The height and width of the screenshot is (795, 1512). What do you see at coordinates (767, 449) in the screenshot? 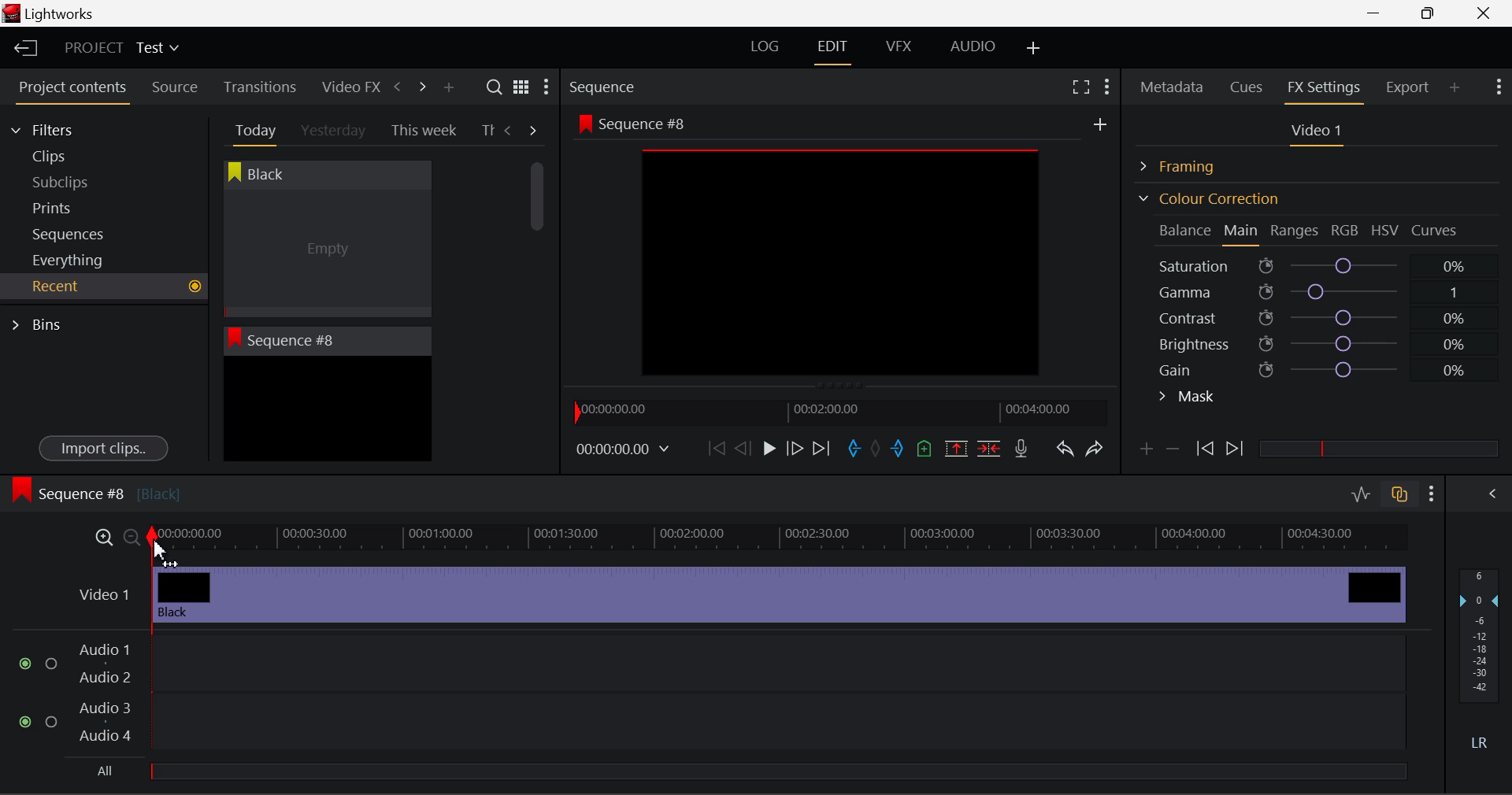
I see `Play` at bounding box center [767, 449].